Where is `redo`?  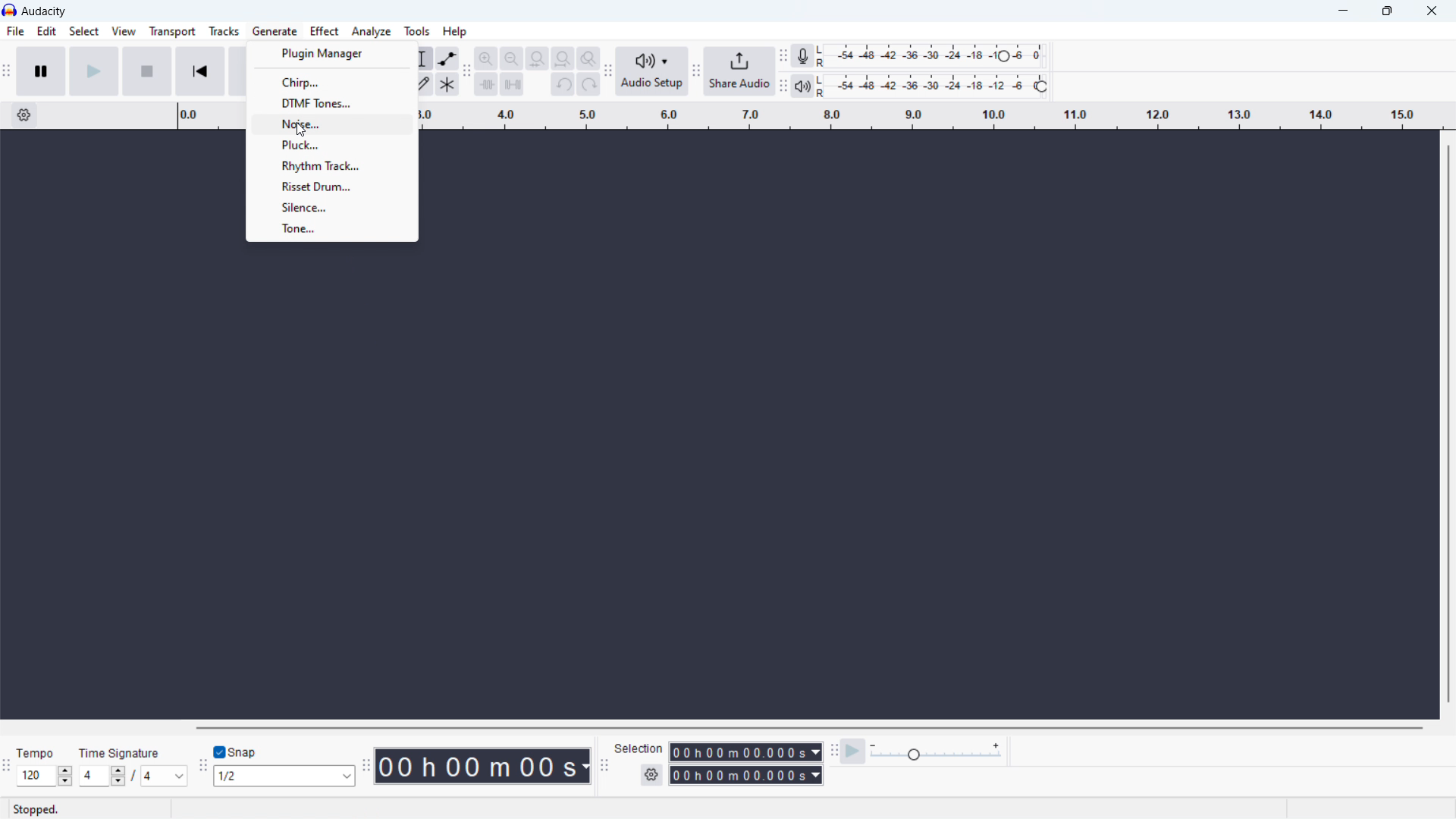 redo is located at coordinates (588, 84).